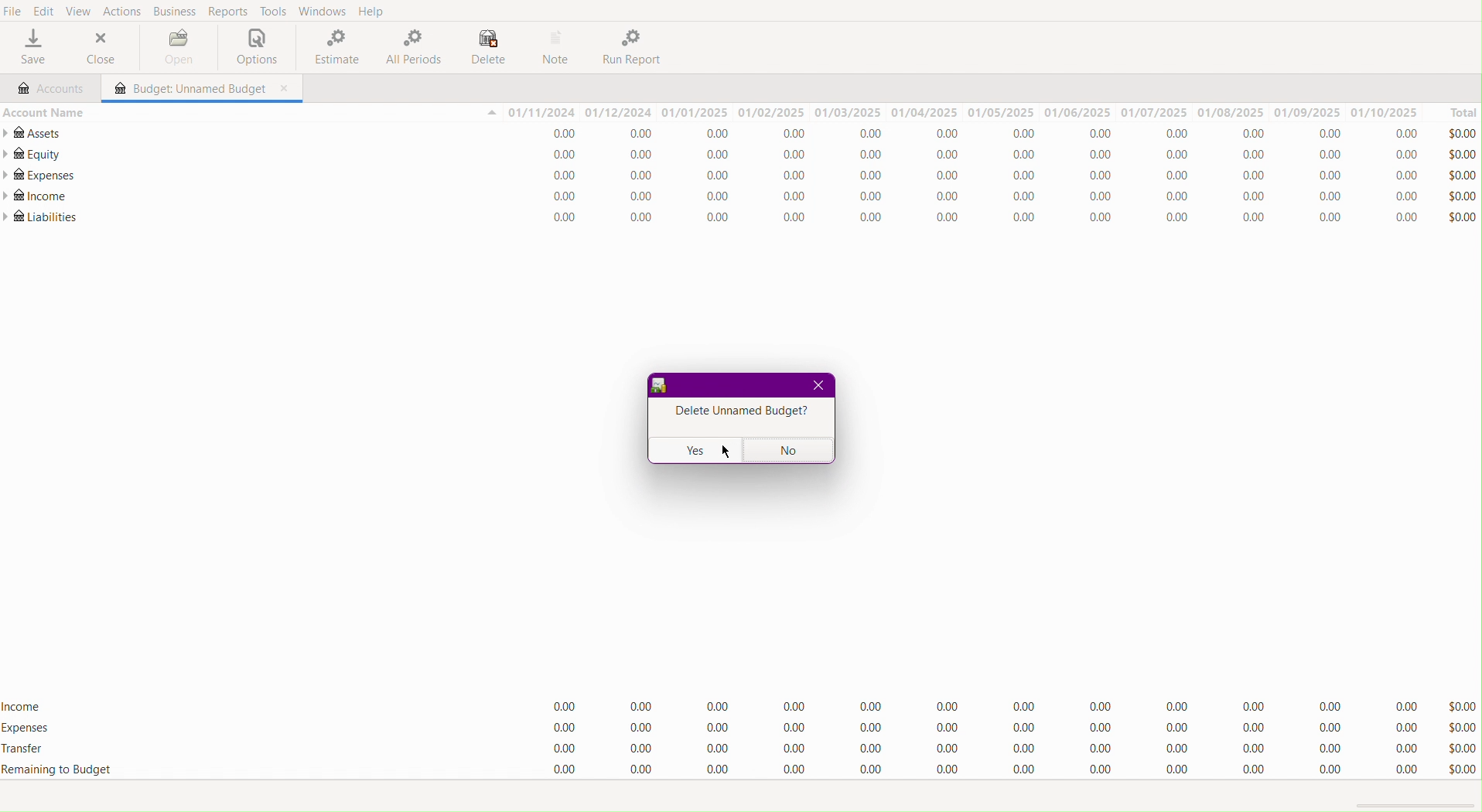  What do you see at coordinates (412, 48) in the screenshot?
I see `All Periods` at bounding box center [412, 48].